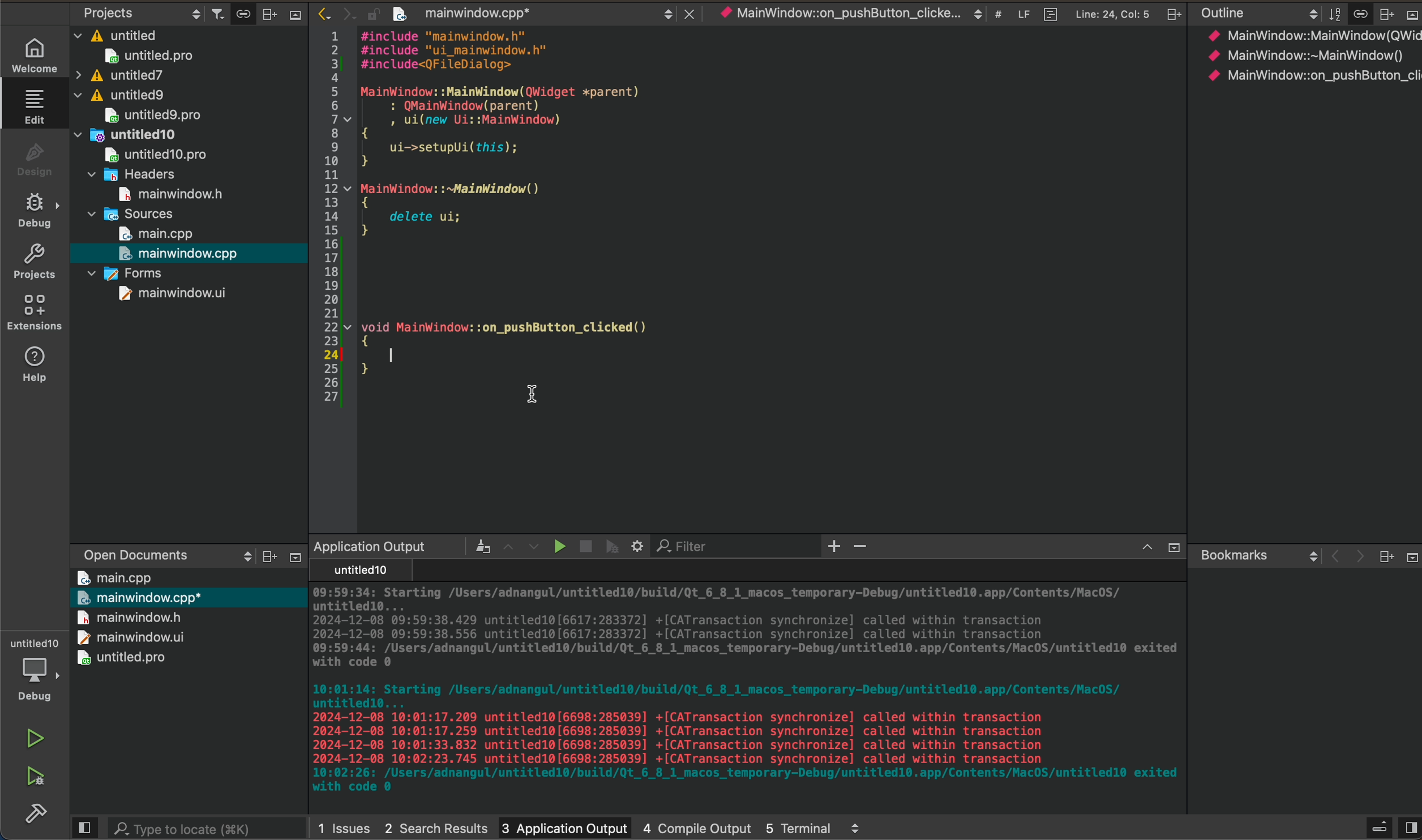  Describe the element at coordinates (1047, 12) in the screenshot. I see `file` at that location.